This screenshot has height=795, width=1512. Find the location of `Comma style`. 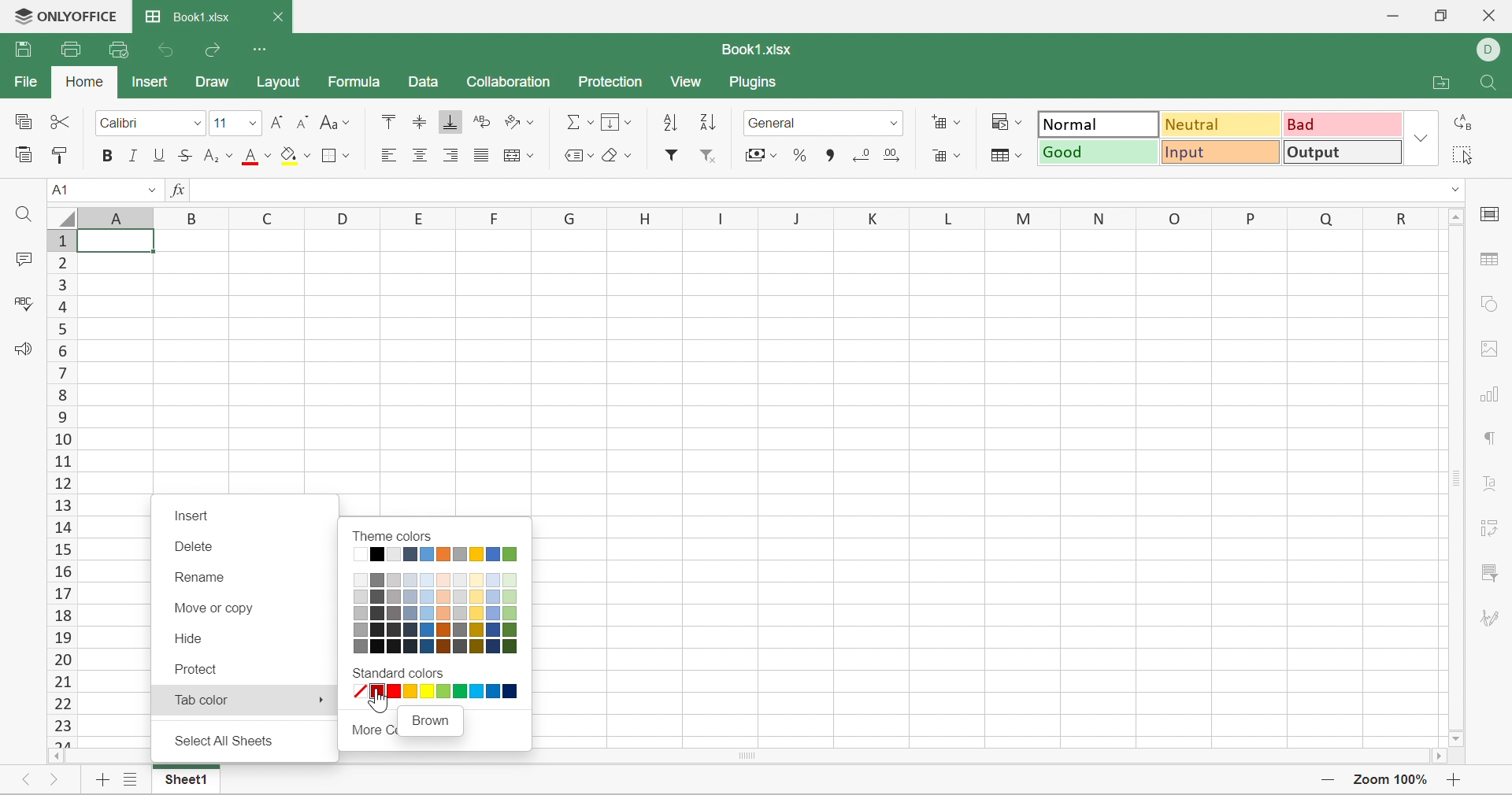

Comma style is located at coordinates (832, 156).